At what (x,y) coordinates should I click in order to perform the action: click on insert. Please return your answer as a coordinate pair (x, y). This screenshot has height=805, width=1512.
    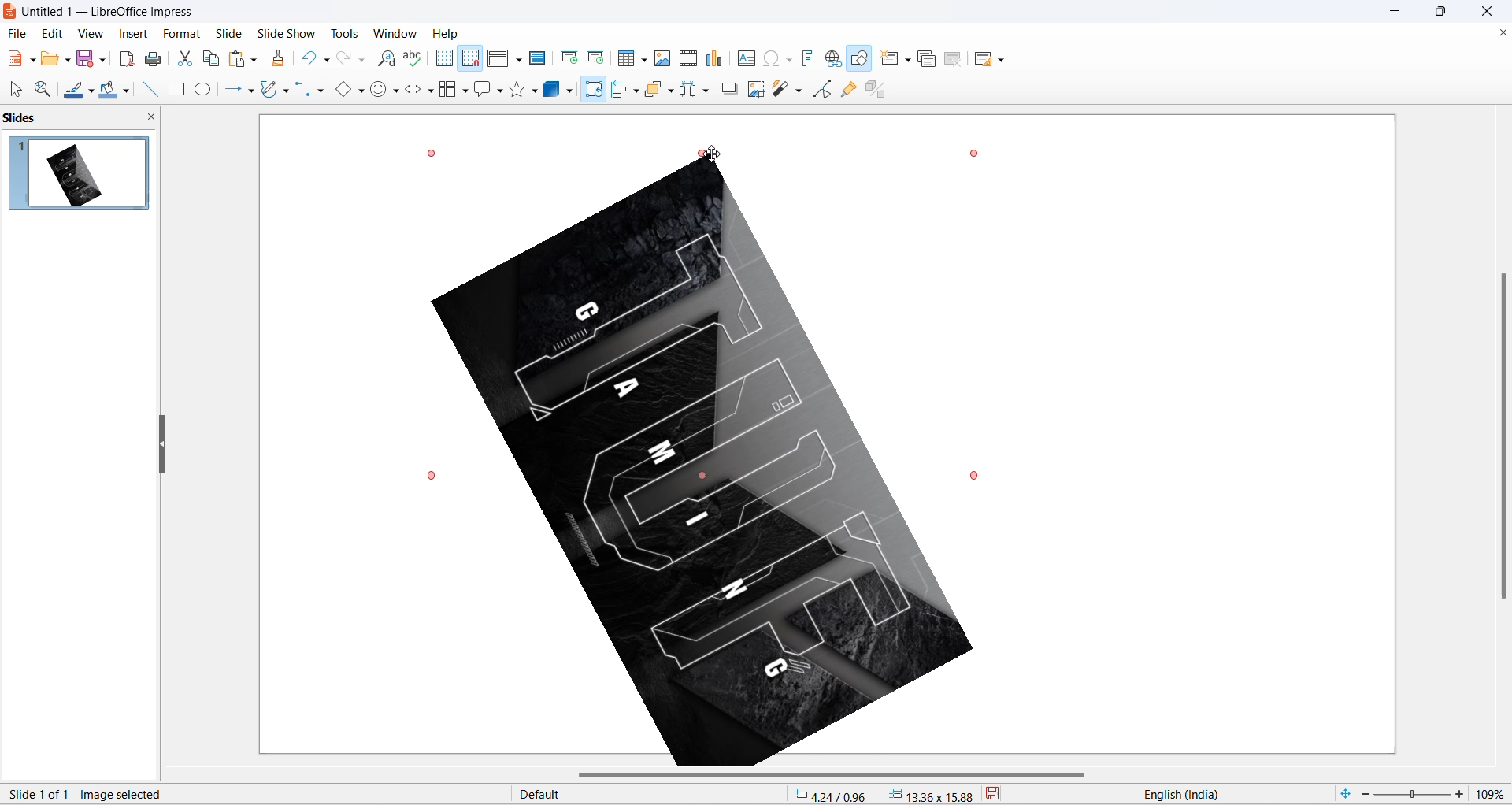
    Looking at the image, I should click on (132, 35).